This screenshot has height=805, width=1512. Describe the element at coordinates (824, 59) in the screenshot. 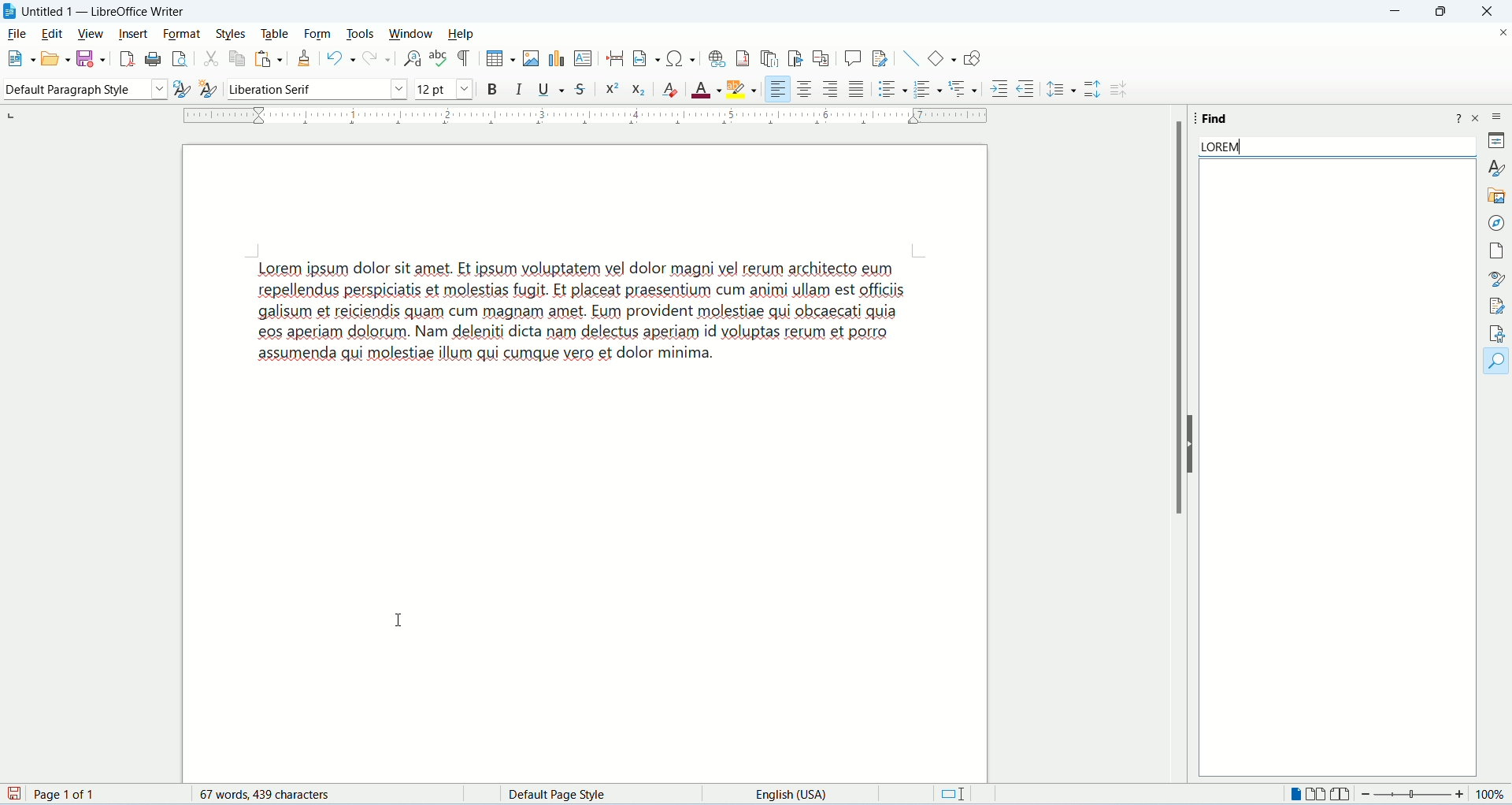

I see `insert cross-referencing` at that location.